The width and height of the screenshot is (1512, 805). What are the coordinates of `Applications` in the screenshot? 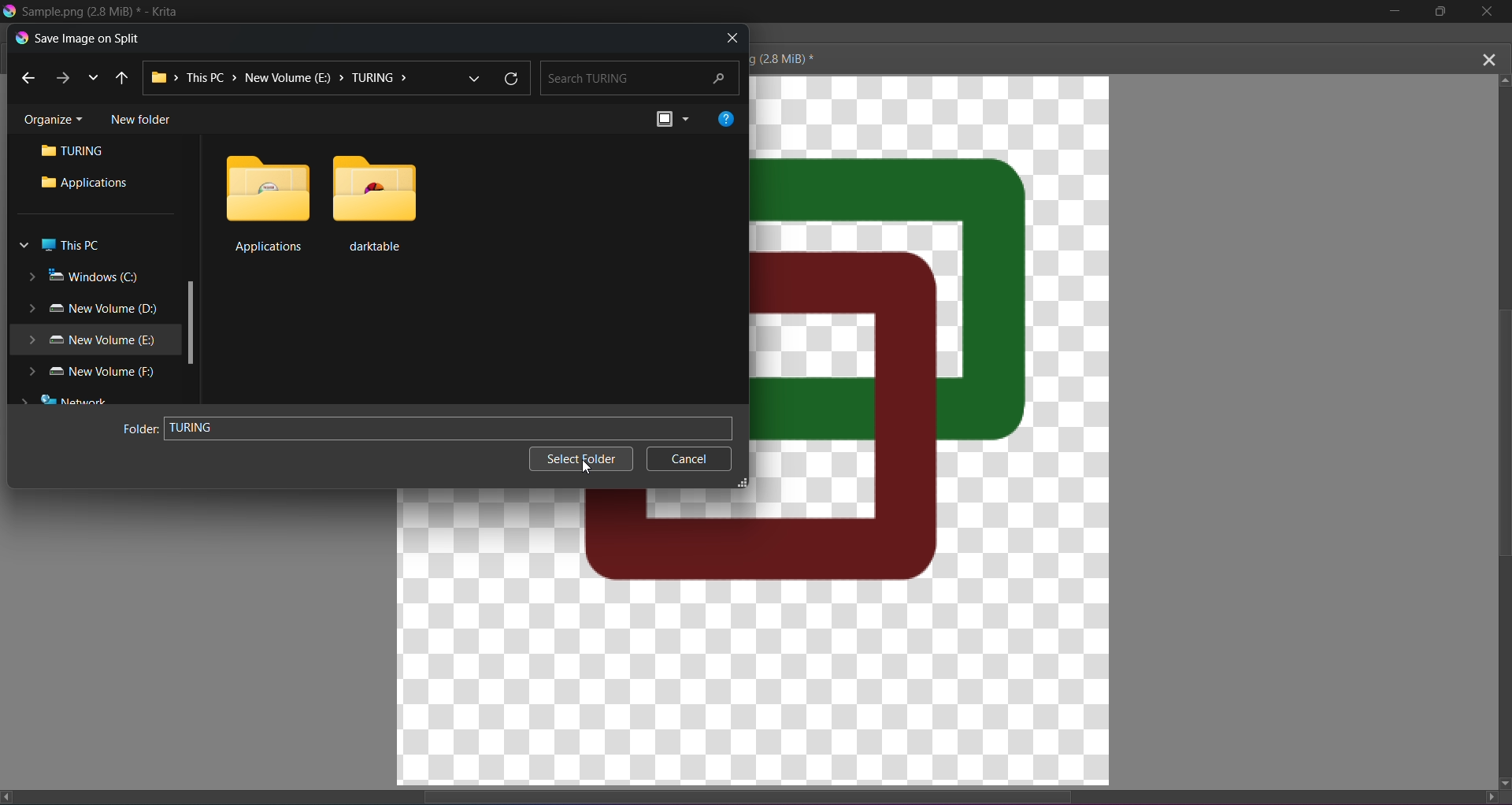 It's located at (83, 184).